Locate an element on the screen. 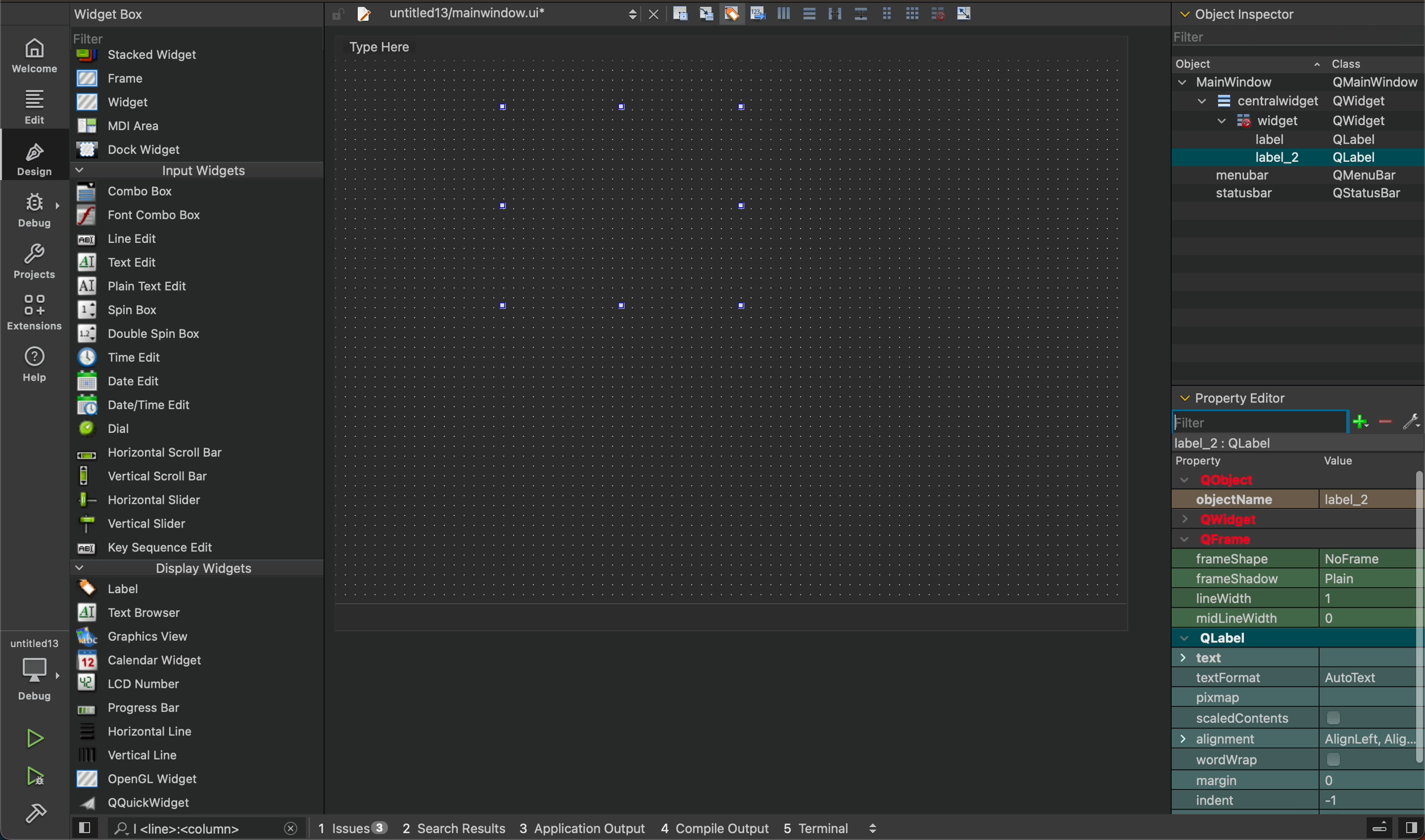 This screenshot has height=840, width=1425. run is located at coordinates (34, 736).